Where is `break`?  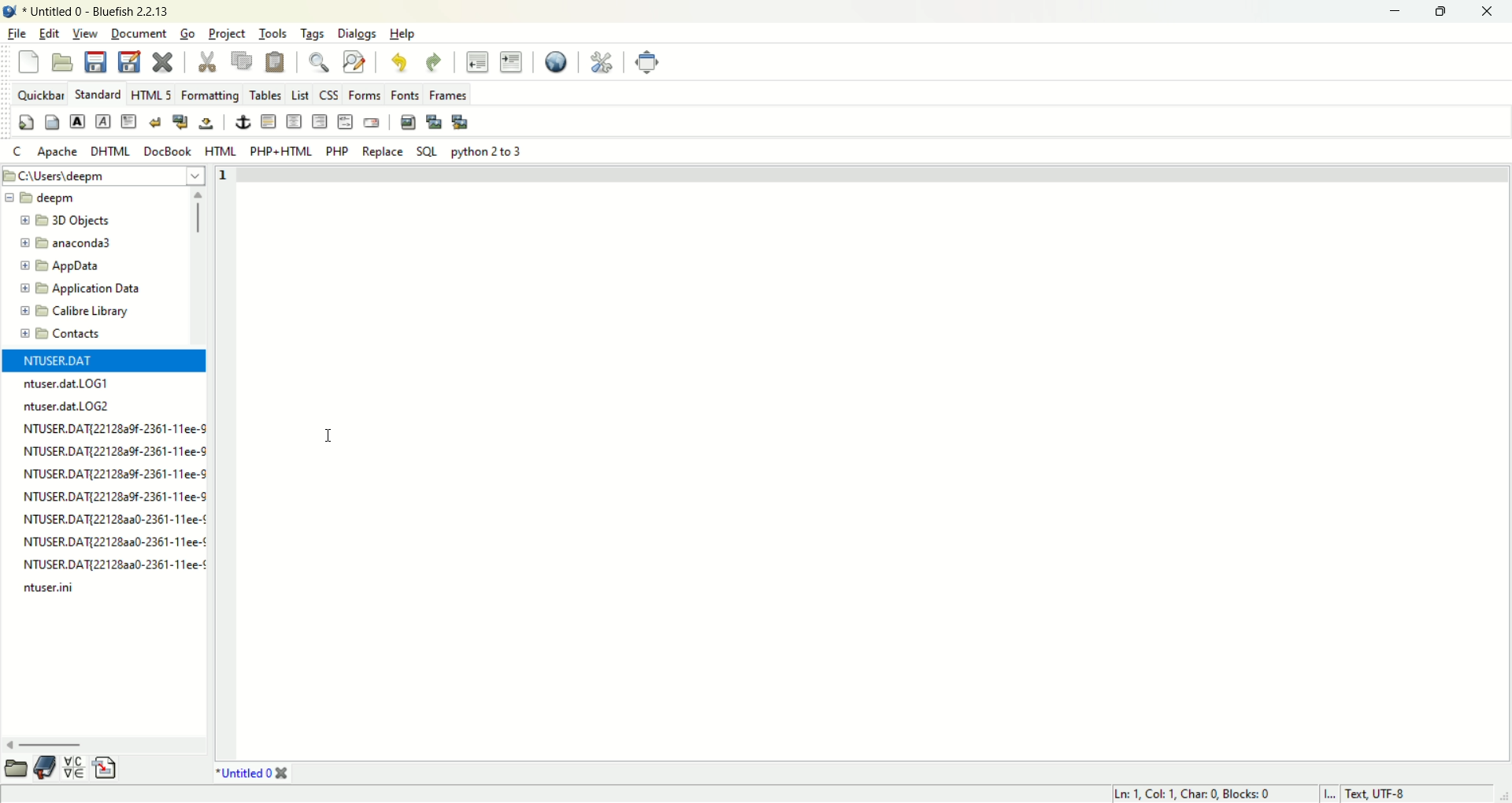
break is located at coordinates (157, 121).